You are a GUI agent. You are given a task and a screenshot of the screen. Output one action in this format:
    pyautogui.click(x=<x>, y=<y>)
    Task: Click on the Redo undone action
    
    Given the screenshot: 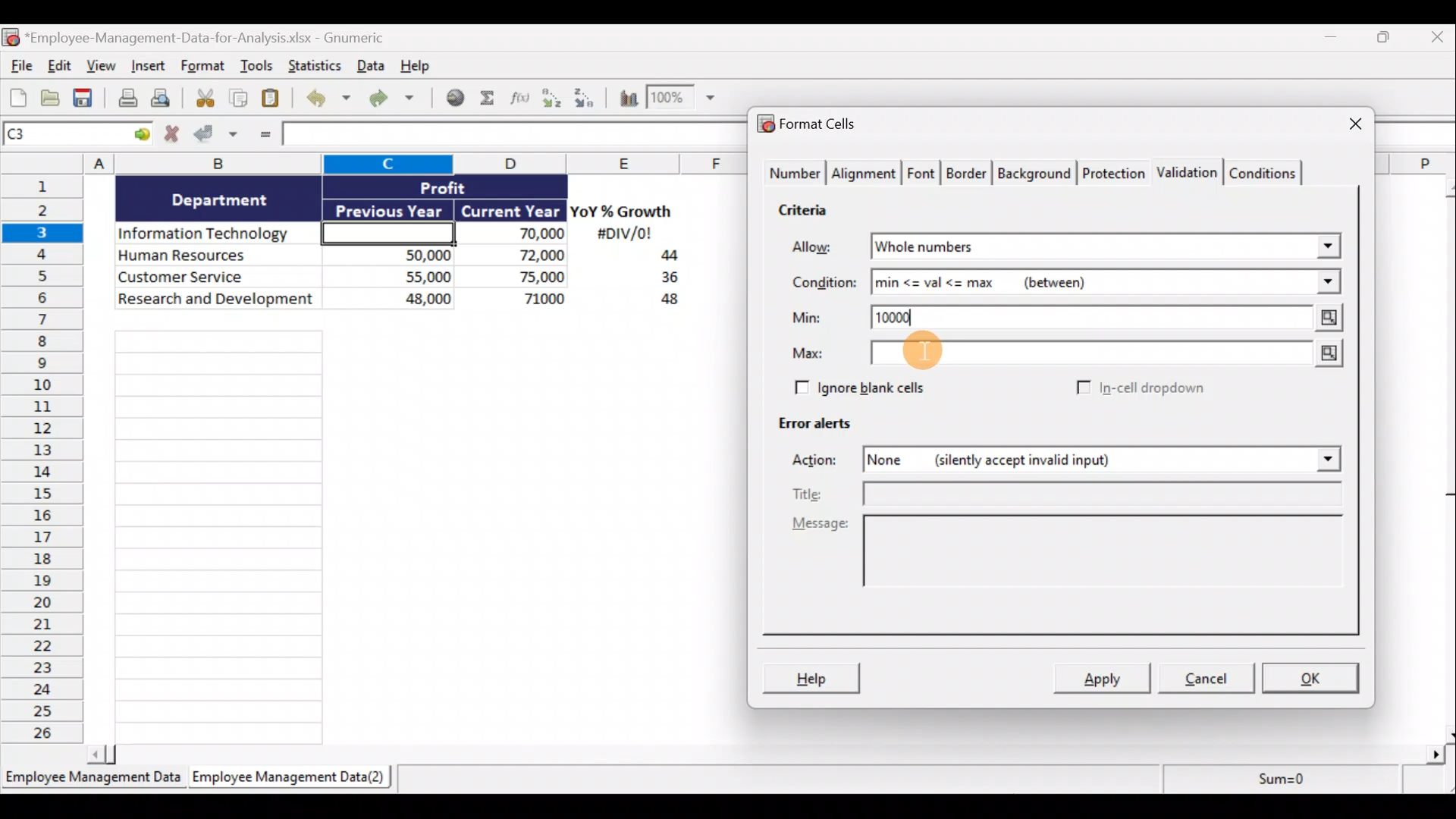 What is the action you would take?
    pyautogui.click(x=398, y=99)
    